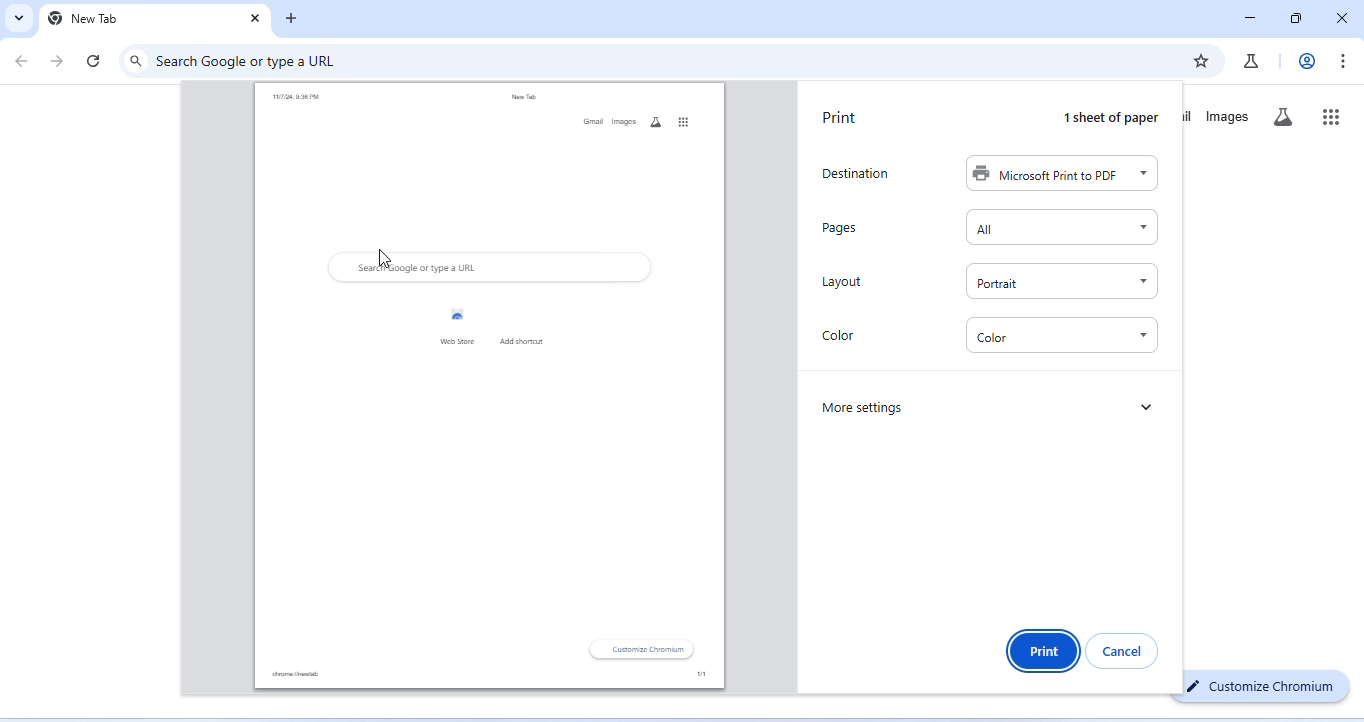 The width and height of the screenshot is (1364, 722). I want to click on new tab, so click(85, 19).